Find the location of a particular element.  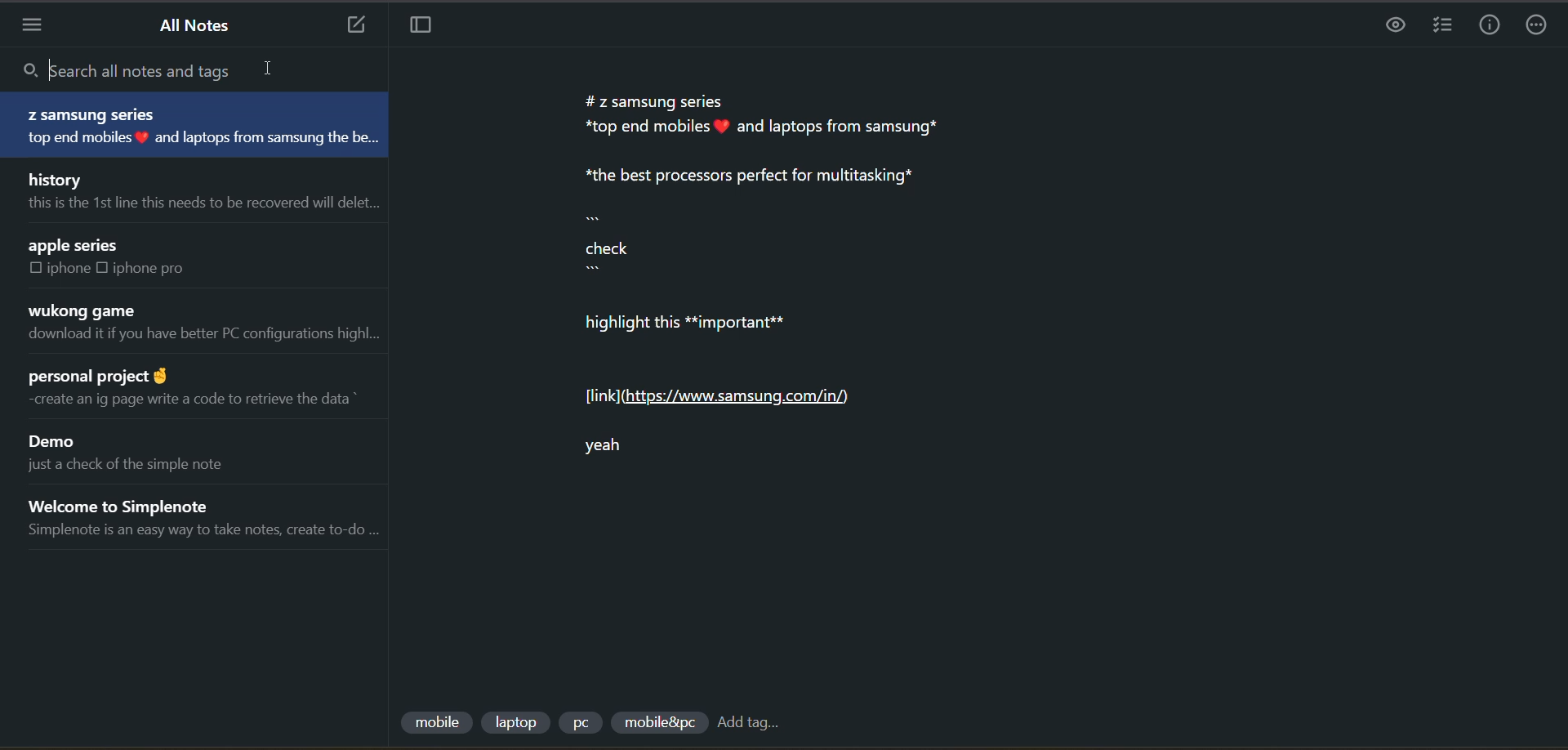

[link] (https://www.samsung.com/in/ is located at coordinates (722, 398).